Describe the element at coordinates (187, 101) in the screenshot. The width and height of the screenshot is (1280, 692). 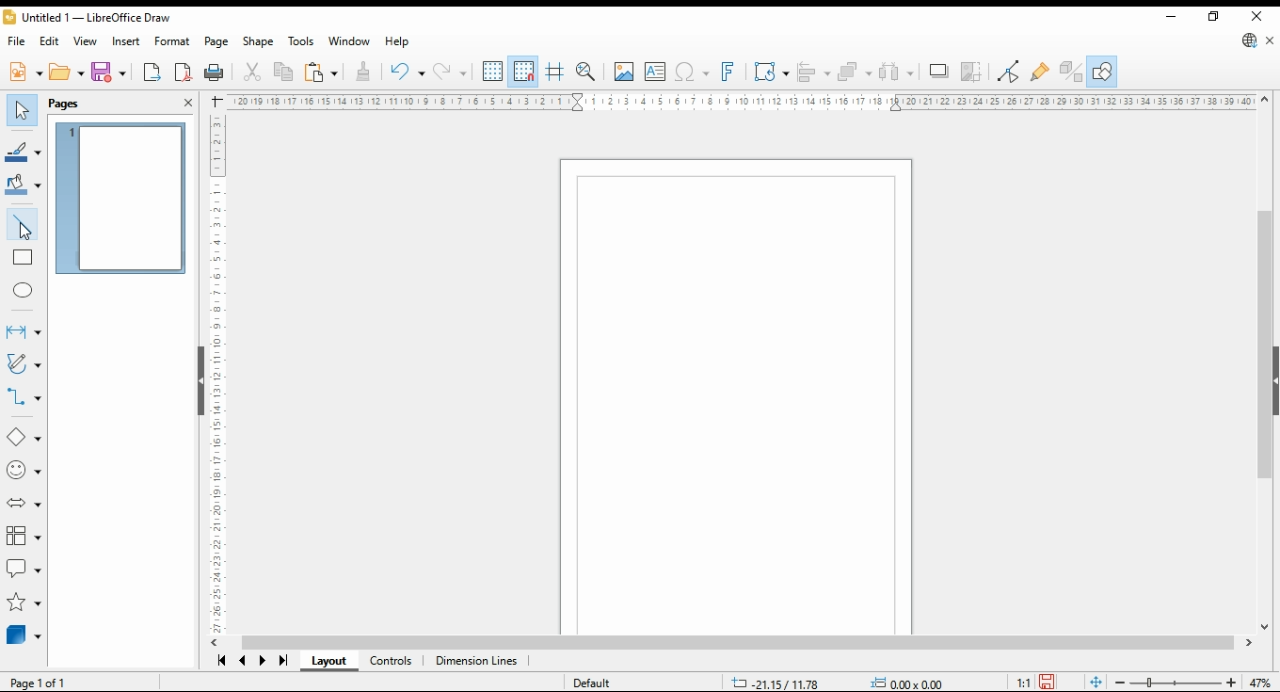
I see `close pane` at that location.